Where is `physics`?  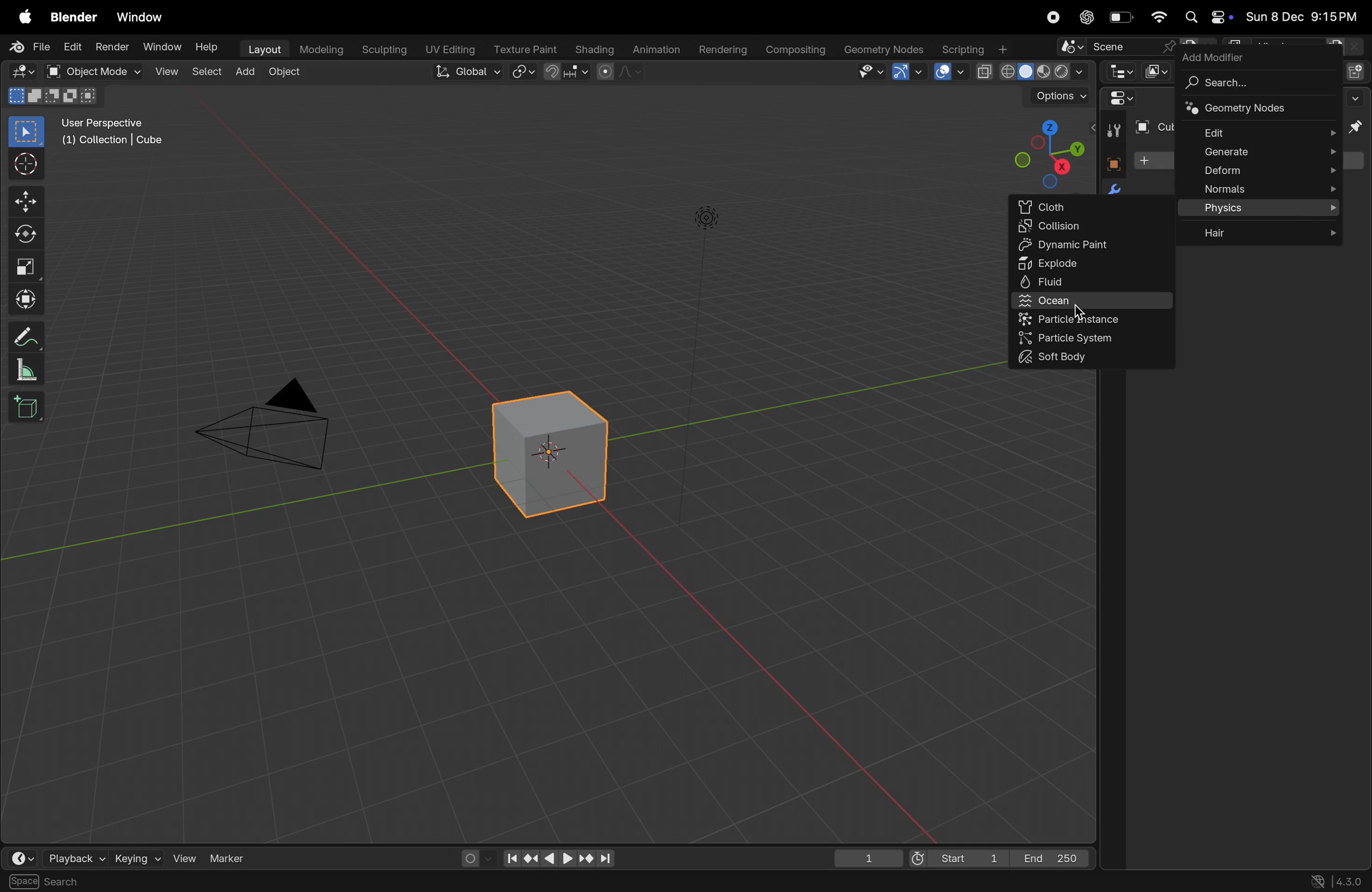
physics is located at coordinates (1262, 209).